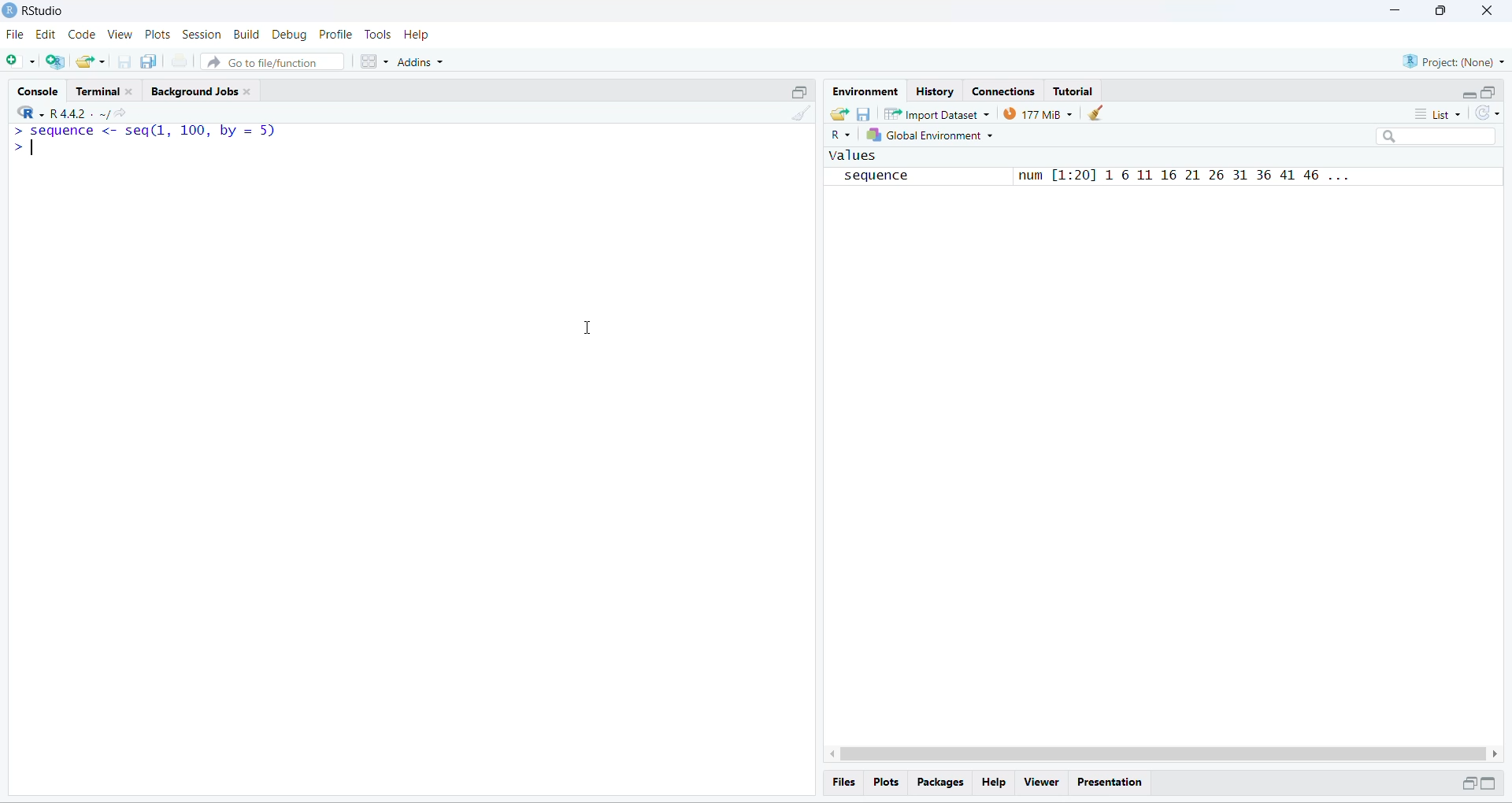  I want to click on scroll bar, so click(1162, 753).